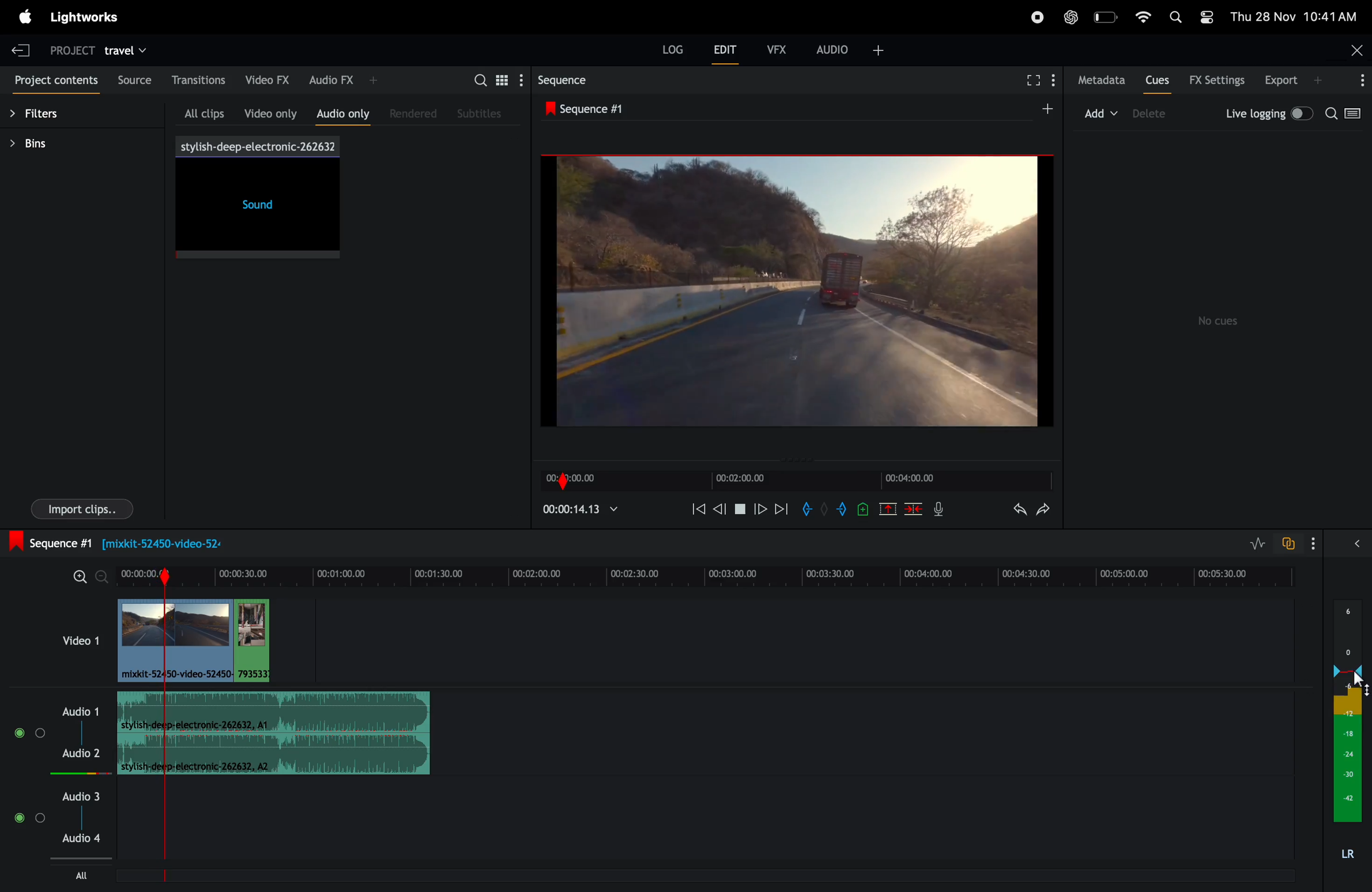 This screenshot has width=1372, height=892. Describe the element at coordinates (276, 731) in the screenshot. I see `sound track` at that location.